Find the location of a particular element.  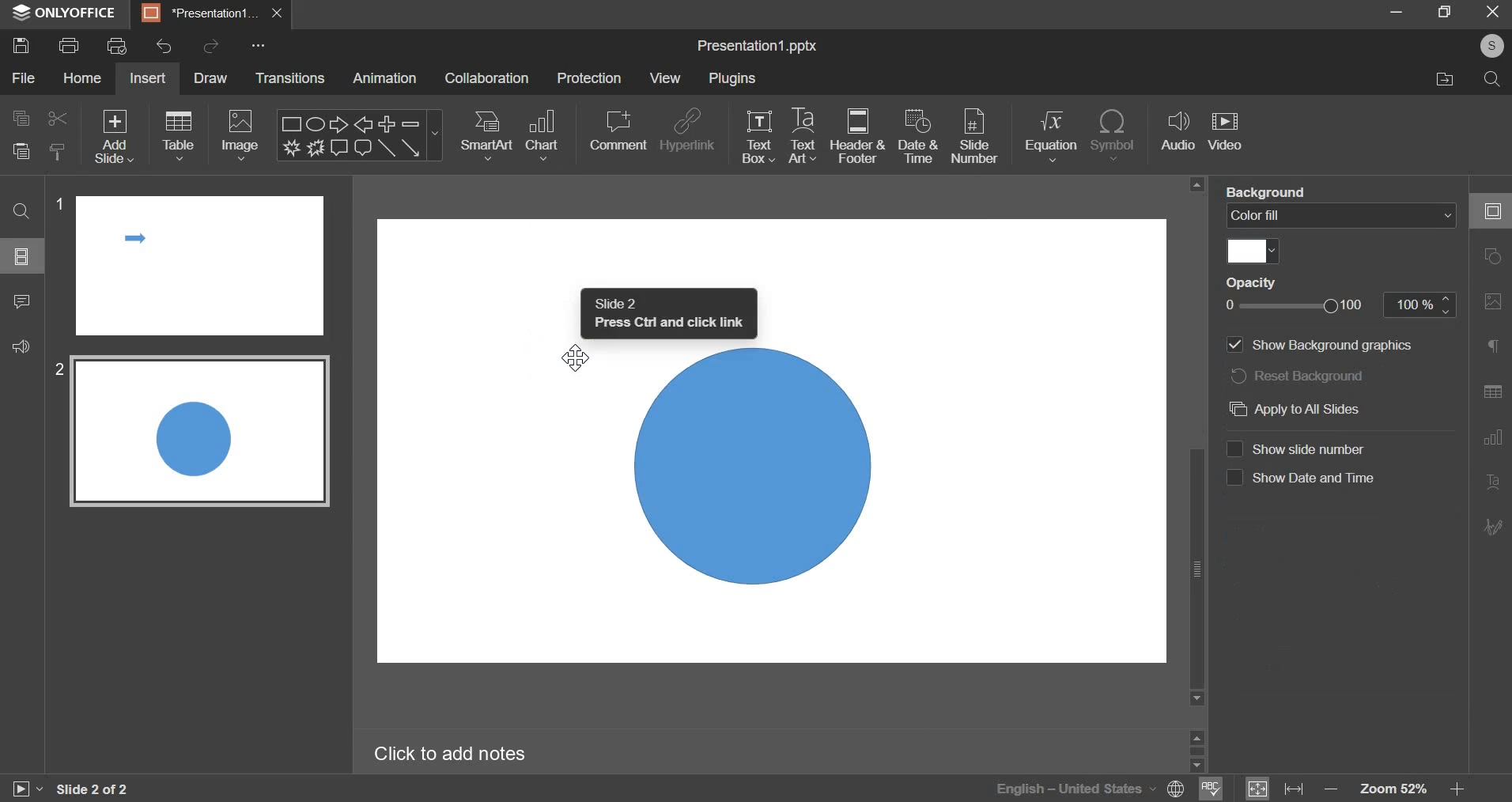

transitions is located at coordinates (287, 77).